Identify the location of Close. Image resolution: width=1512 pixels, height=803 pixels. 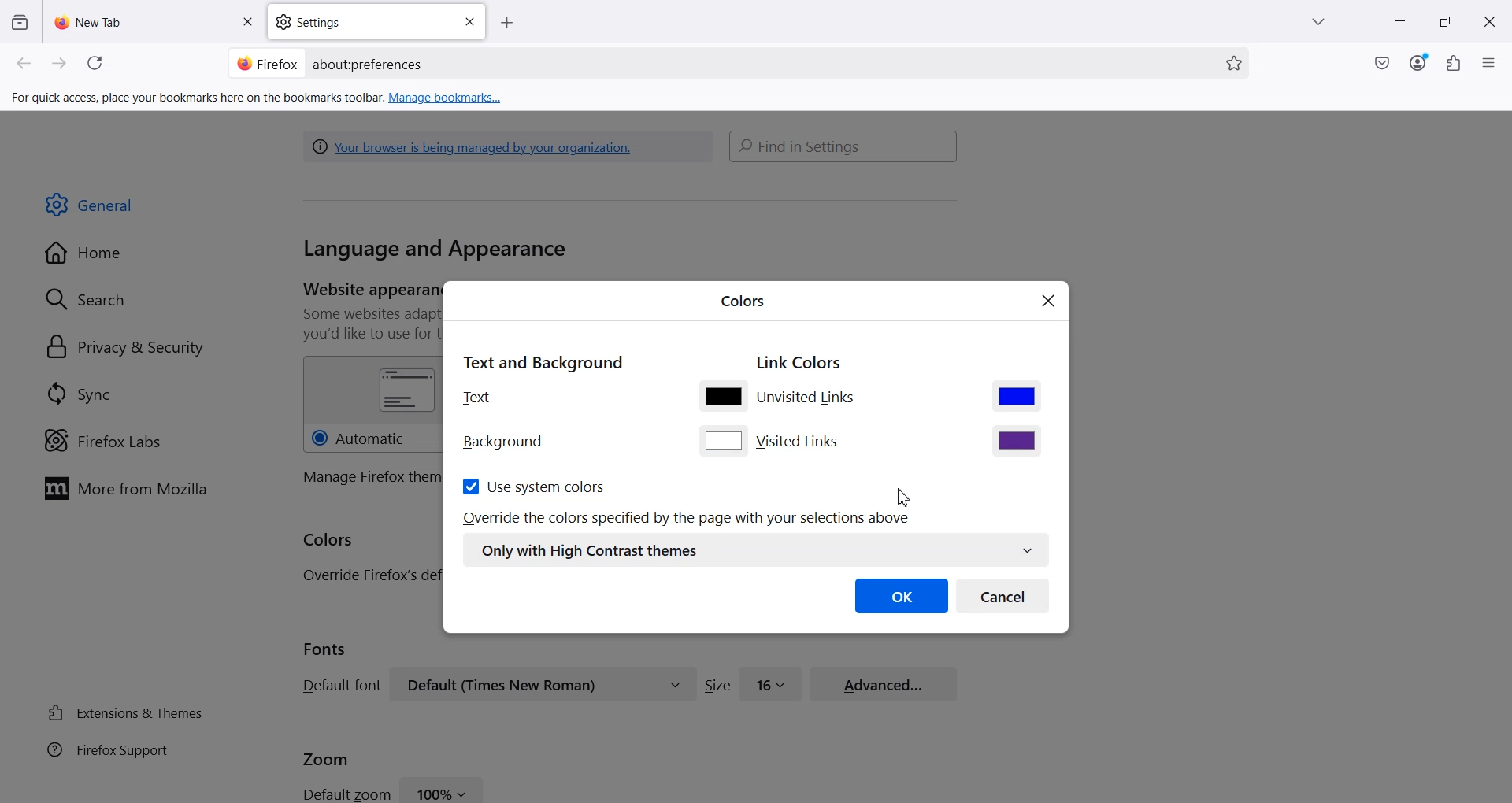
(246, 23).